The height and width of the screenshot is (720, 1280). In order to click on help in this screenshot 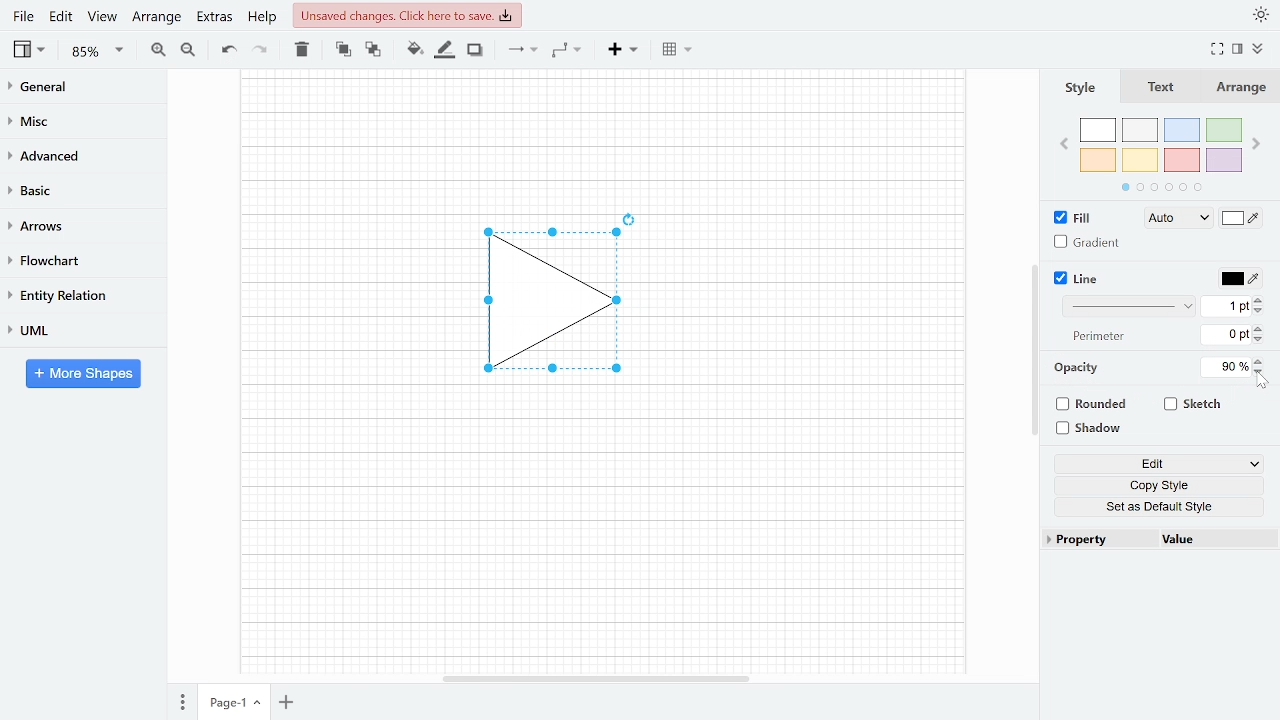, I will do `click(264, 16)`.